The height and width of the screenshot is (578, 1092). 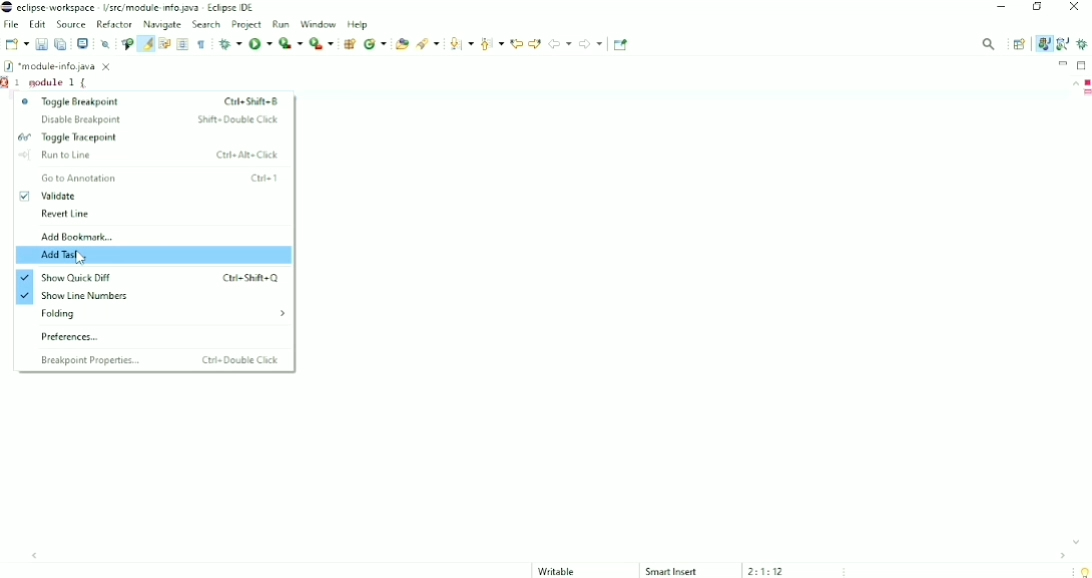 What do you see at coordinates (158, 179) in the screenshot?
I see `Go to Annotation` at bounding box center [158, 179].